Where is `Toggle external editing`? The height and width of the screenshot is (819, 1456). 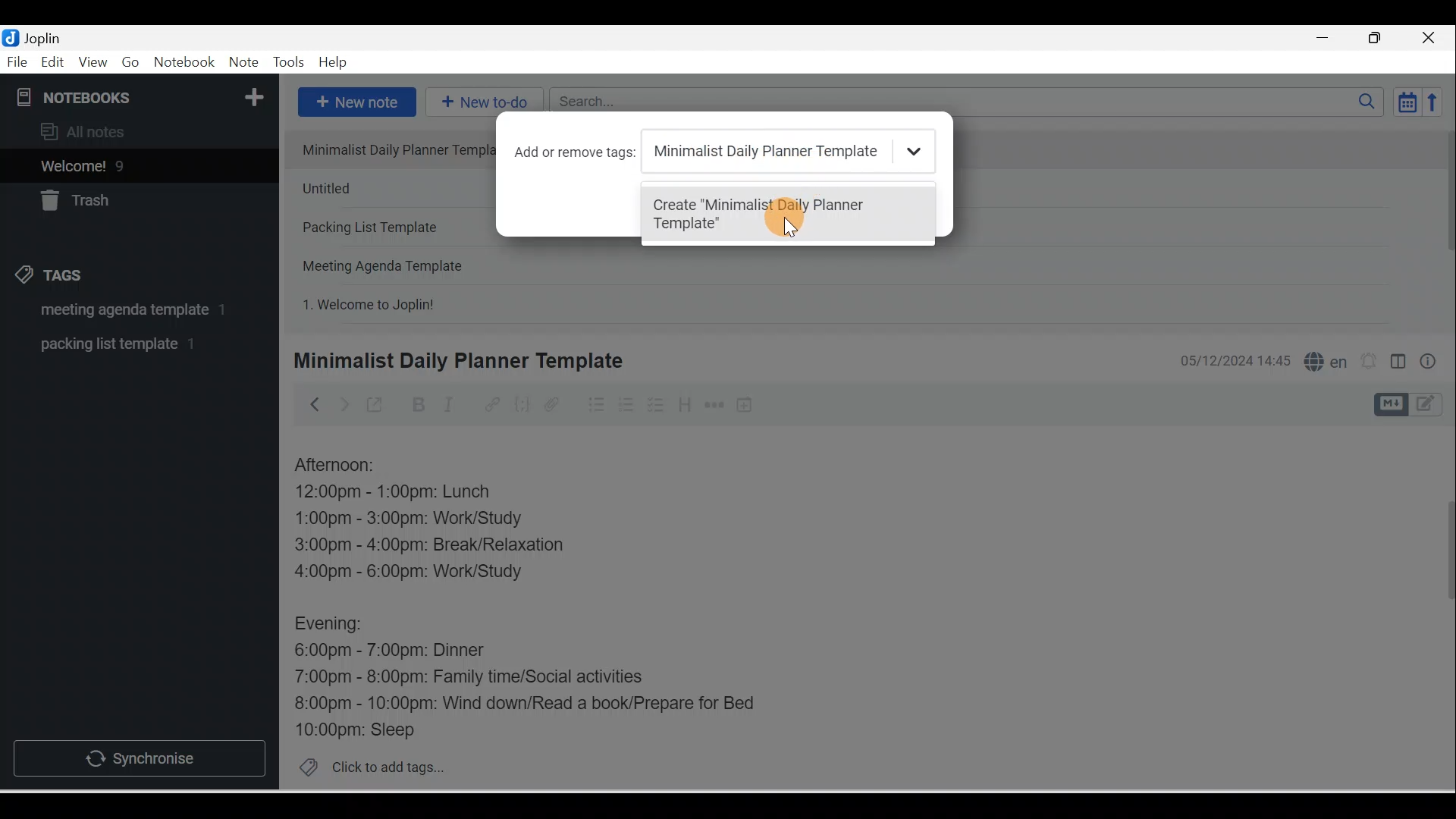 Toggle external editing is located at coordinates (377, 408).